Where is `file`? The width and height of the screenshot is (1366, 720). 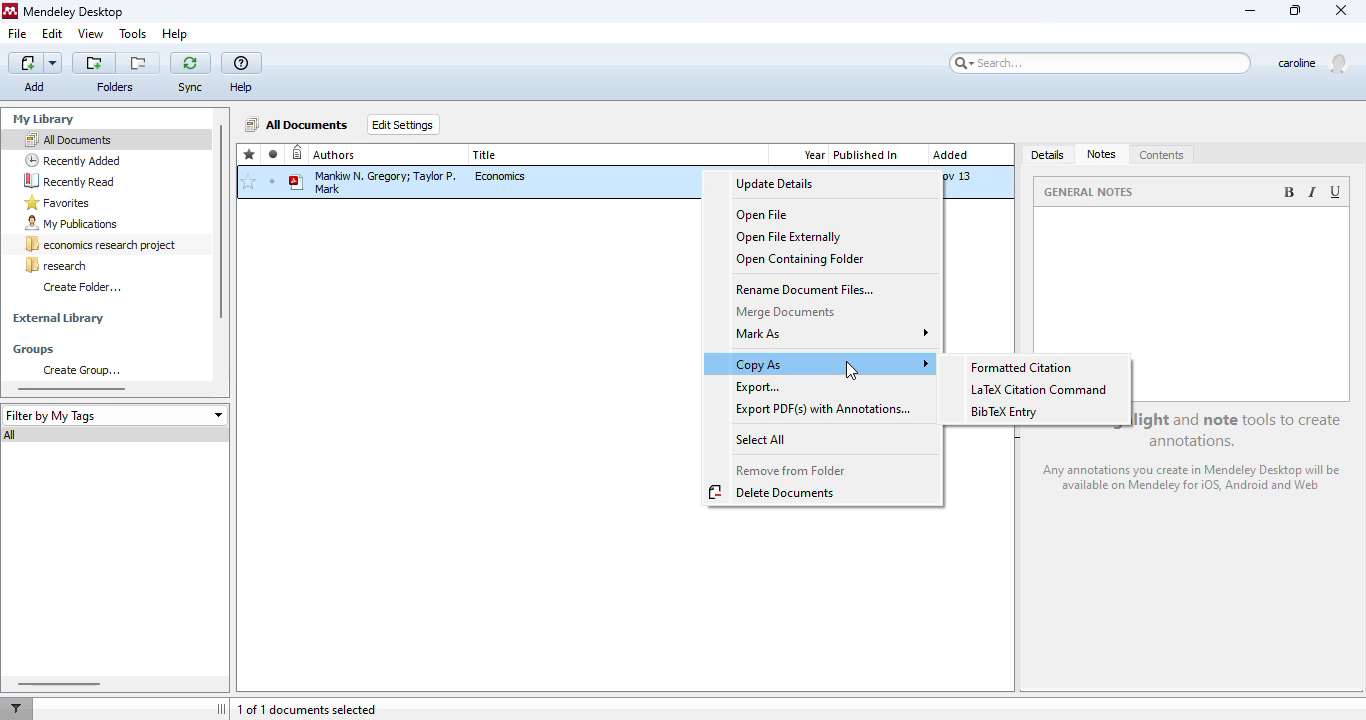 file is located at coordinates (17, 34).